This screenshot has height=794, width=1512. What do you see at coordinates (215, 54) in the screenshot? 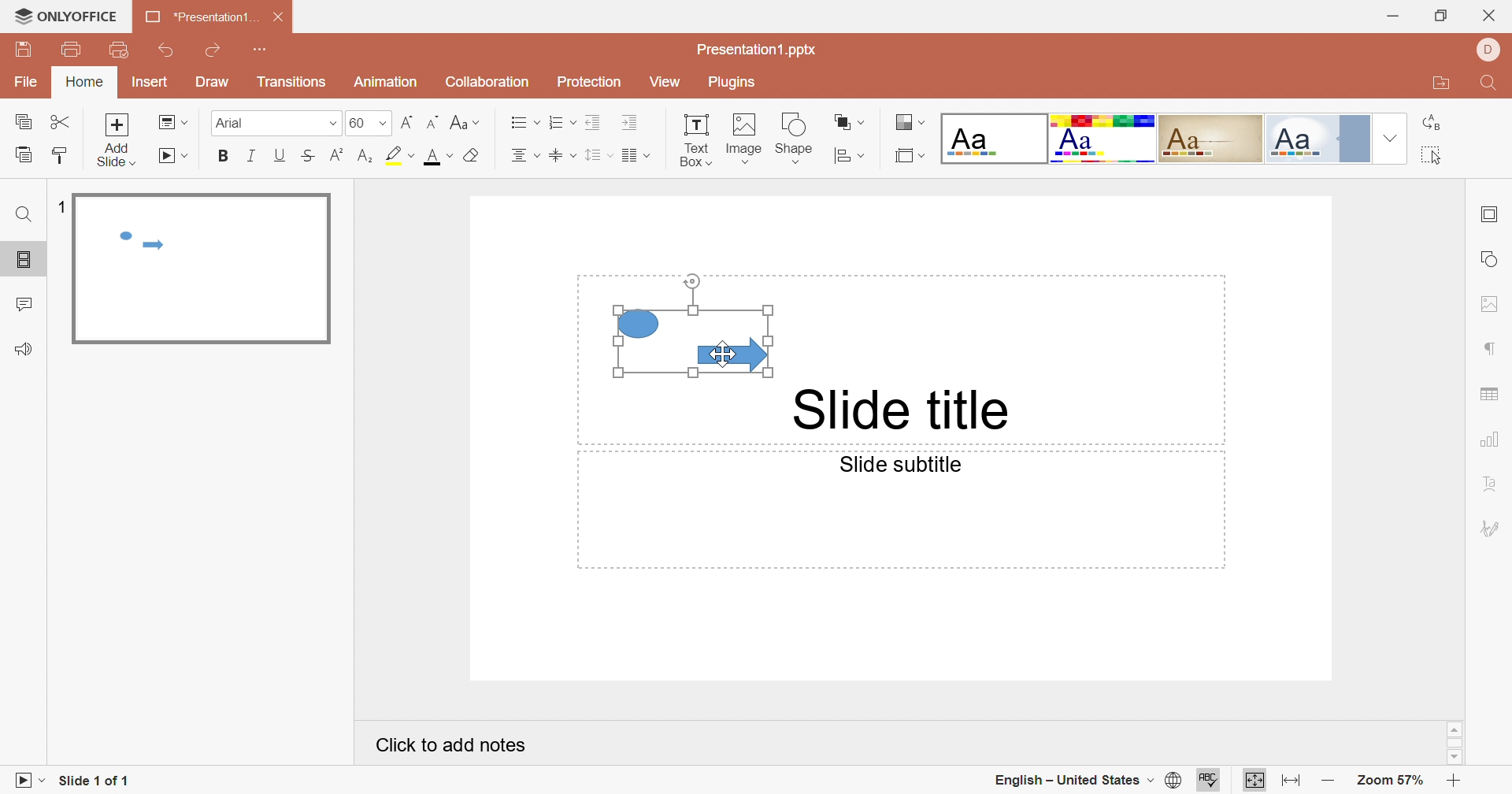
I see `Redo` at bounding box center [215, 54].